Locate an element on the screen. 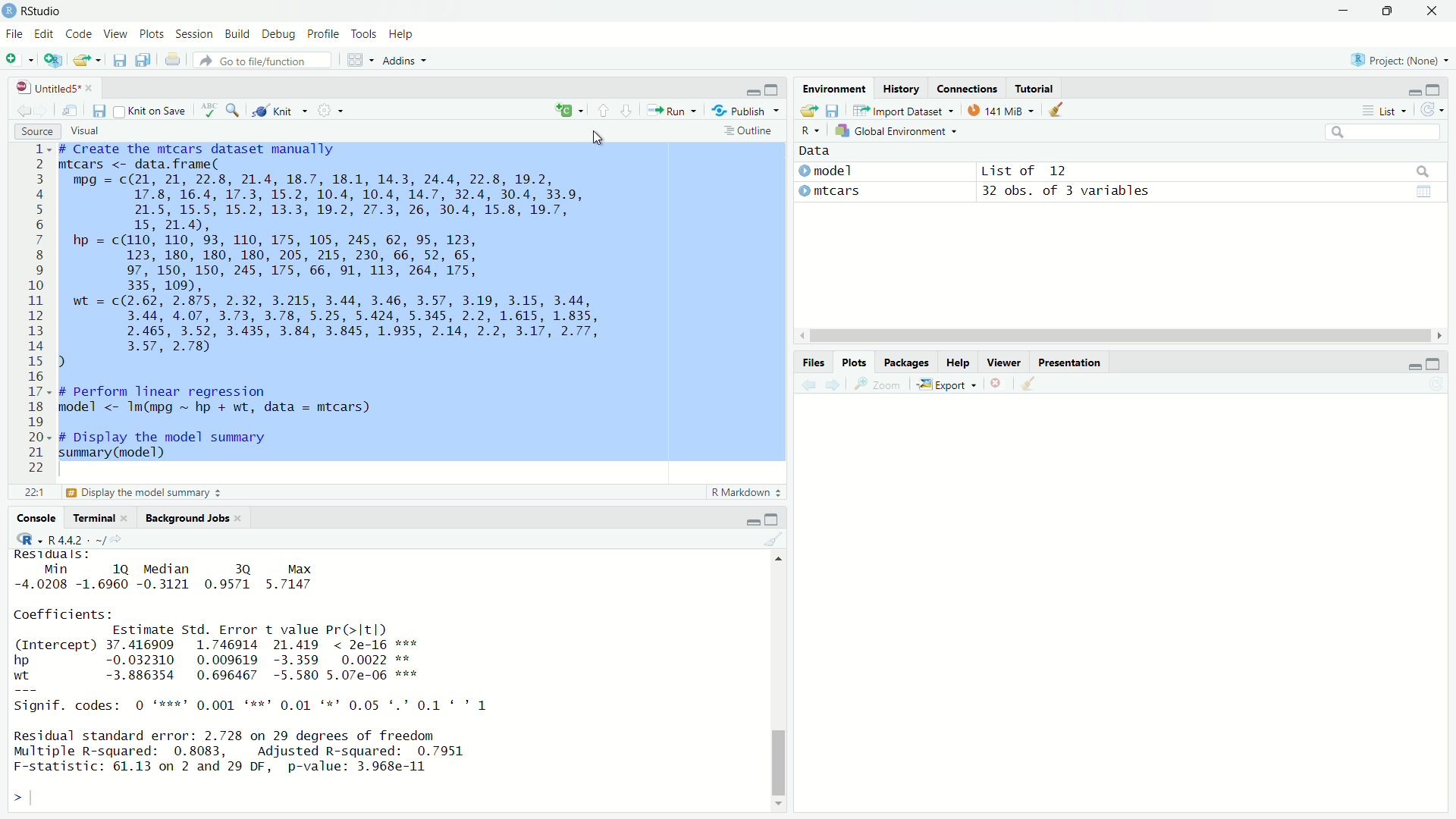 This screenshot has width=1456, height=819. maximize is located at coordinates (1432, 366).